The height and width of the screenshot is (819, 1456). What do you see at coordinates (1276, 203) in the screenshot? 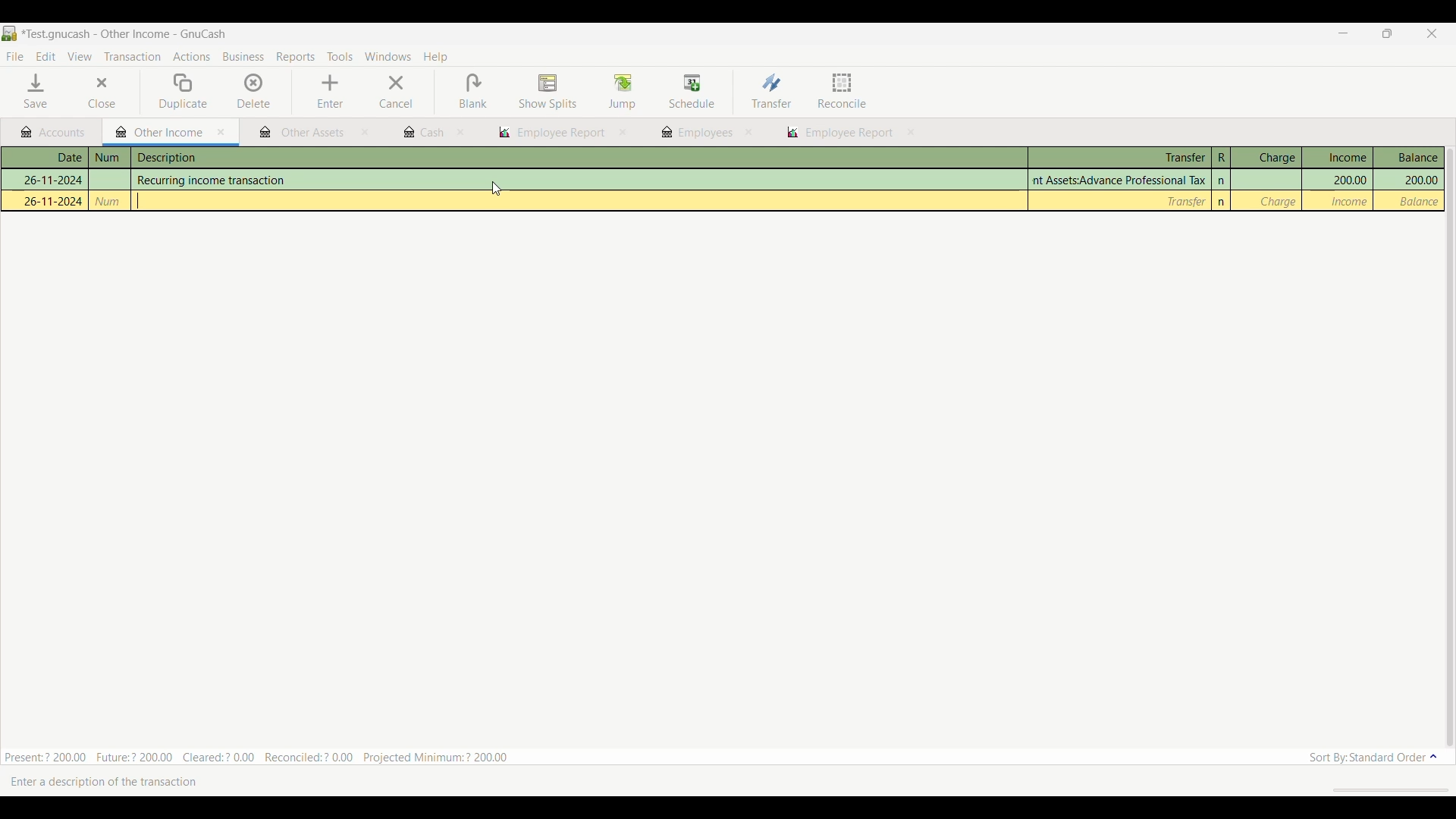
I see `_ Charge |` at bounding box center [1276, 203].